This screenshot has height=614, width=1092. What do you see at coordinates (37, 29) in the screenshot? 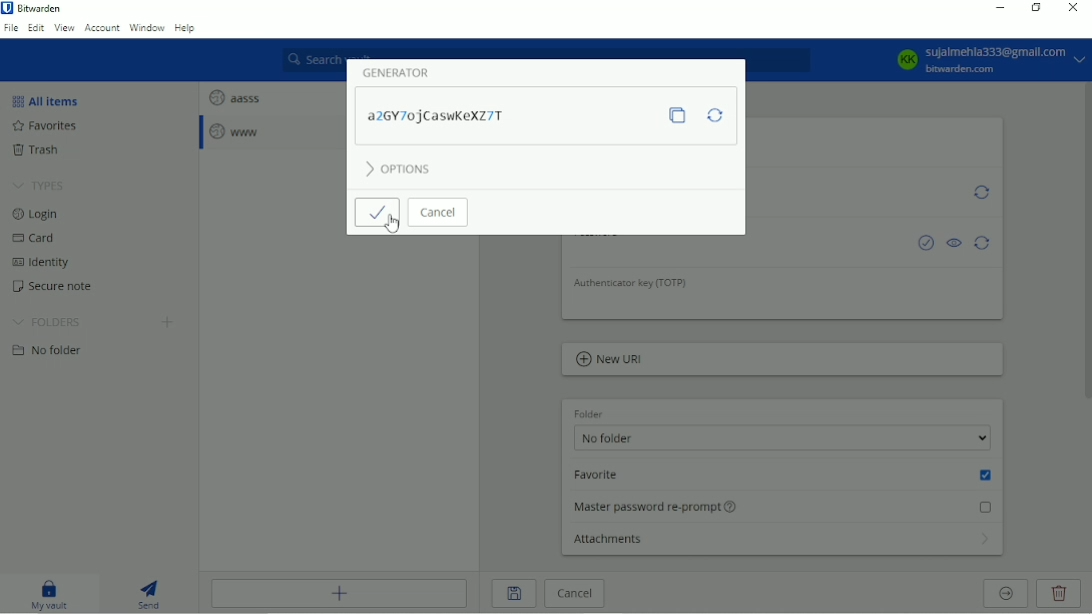
I see `Edit` at bounding box center [37, 29].